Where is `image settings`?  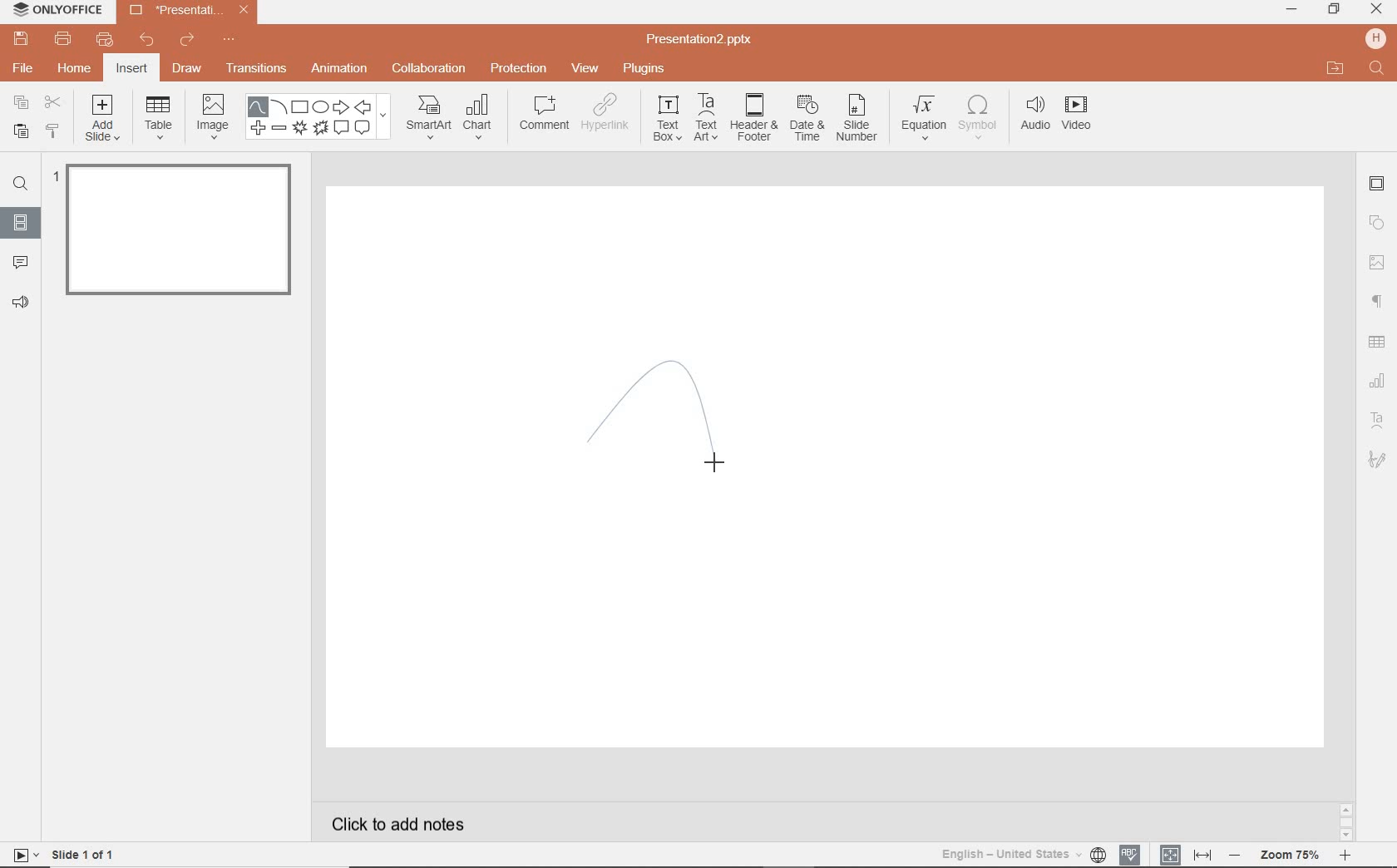 image settings is located at coordinates (1377, 262).